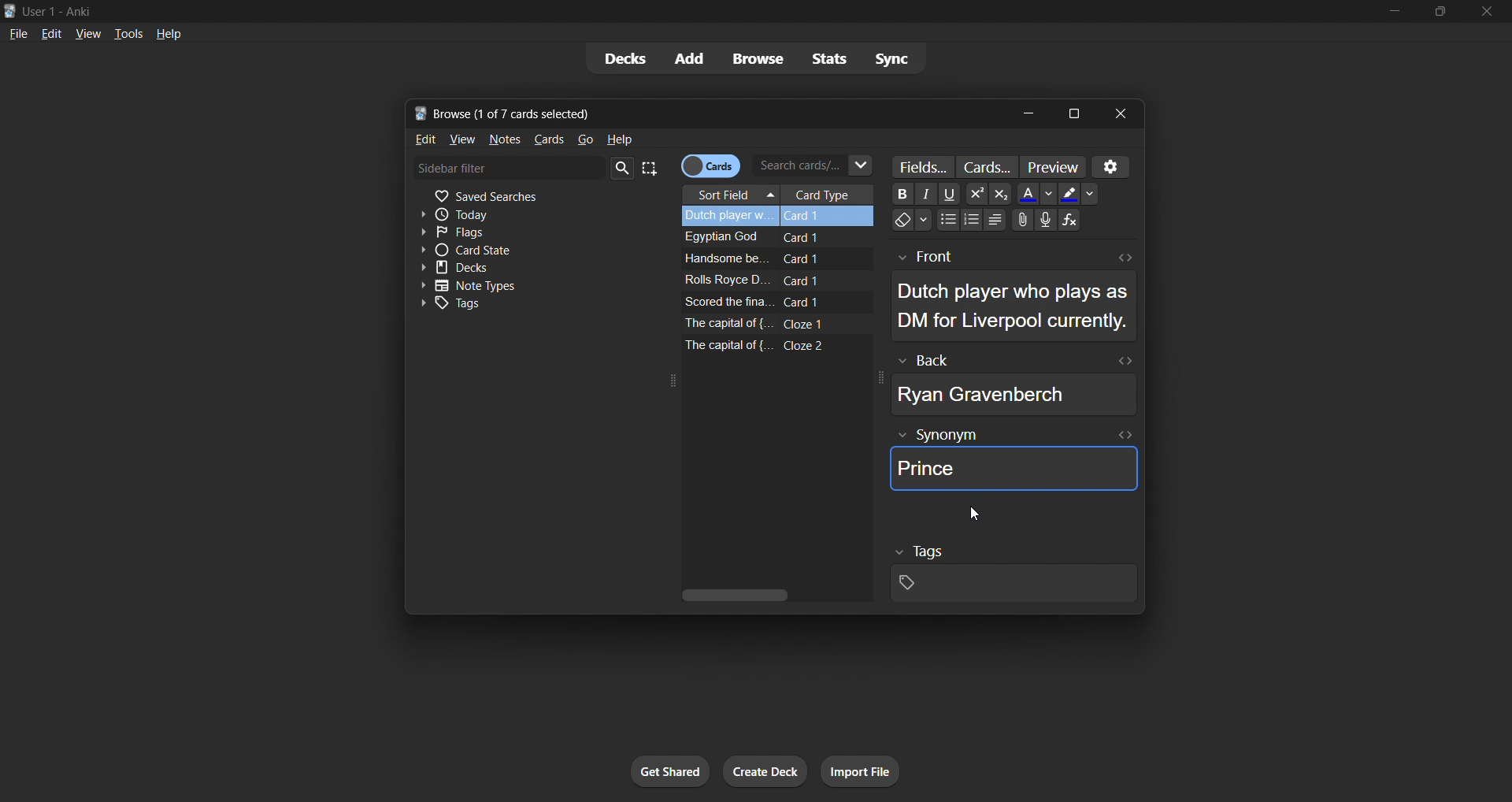 This screenshot has width=1512, height=802. What do you see at coordinates (1111, 168) in the screenshot?
I see `settings` at bounding box center [1111, 168].